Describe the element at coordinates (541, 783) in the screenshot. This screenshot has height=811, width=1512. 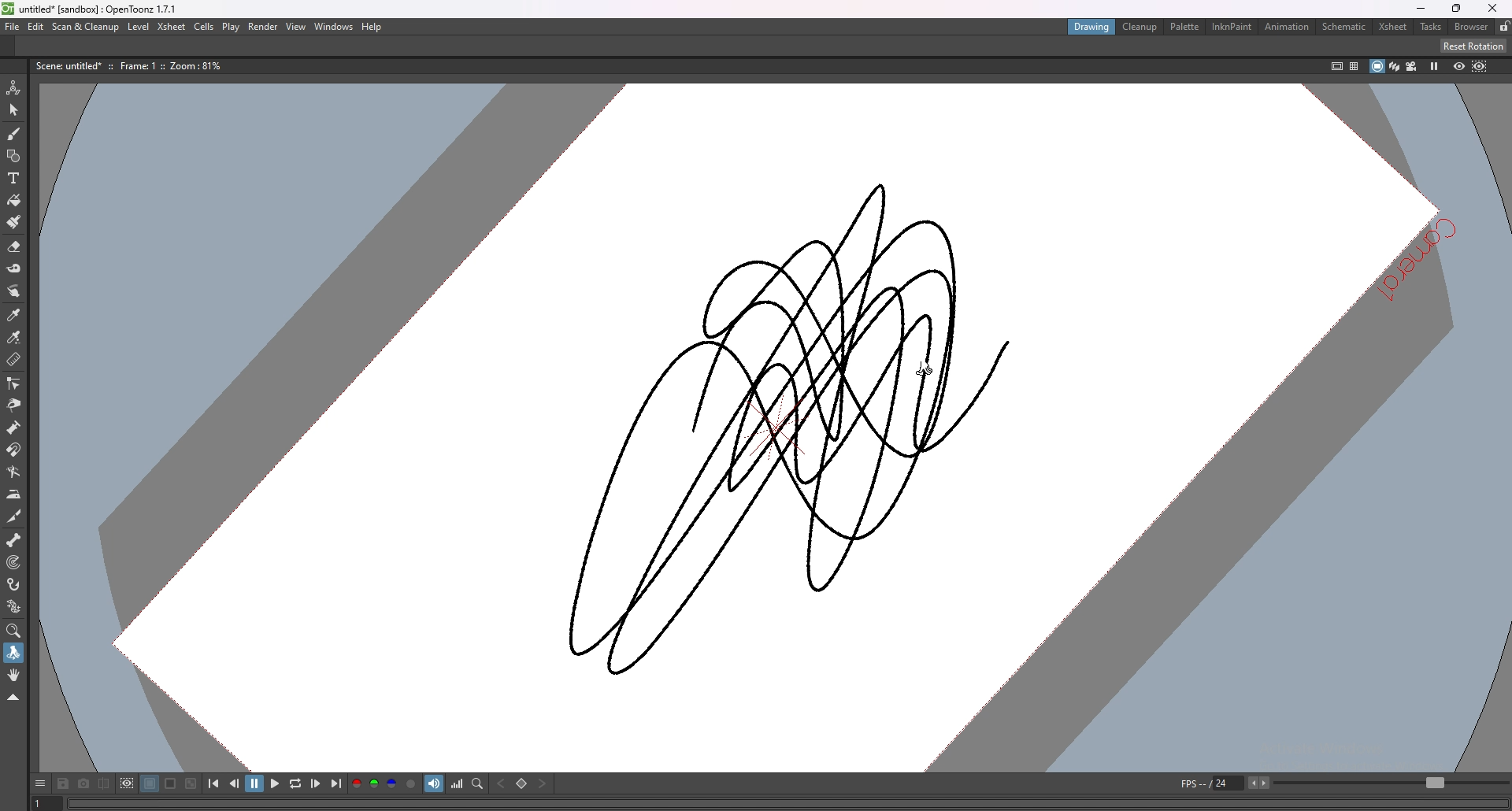
I see `next key` at that location.